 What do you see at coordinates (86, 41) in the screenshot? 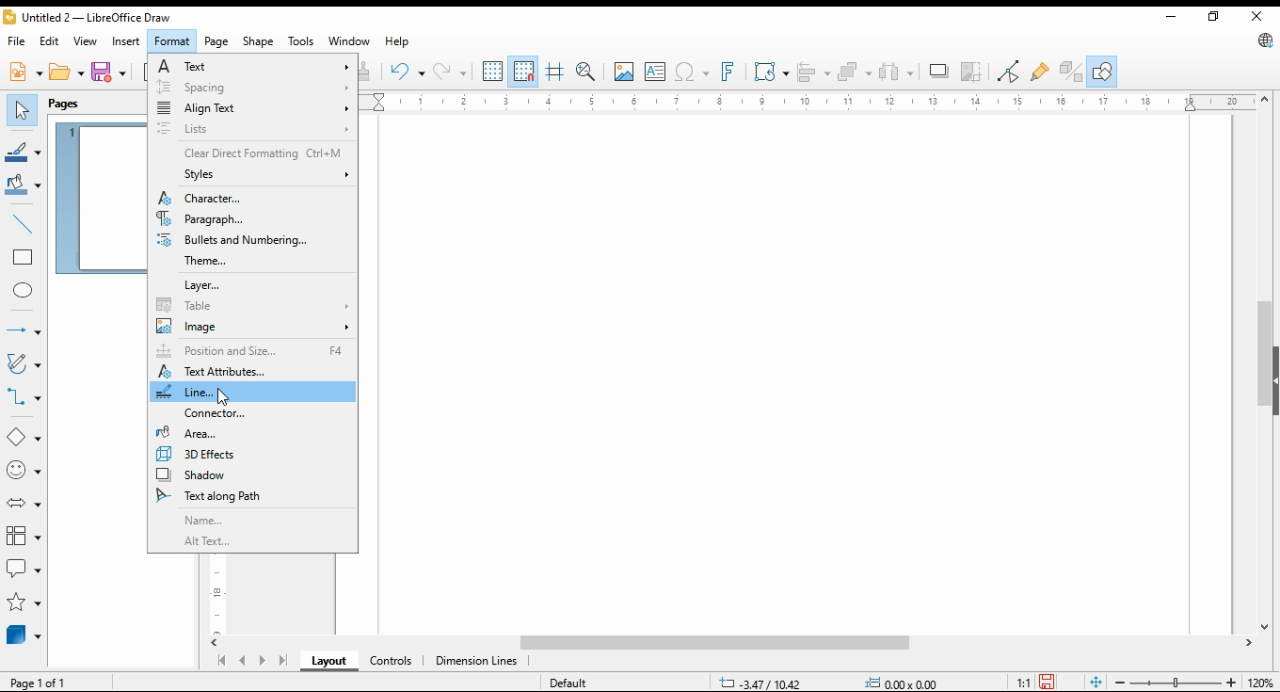
I see `view` at bounding box center [86, 41].